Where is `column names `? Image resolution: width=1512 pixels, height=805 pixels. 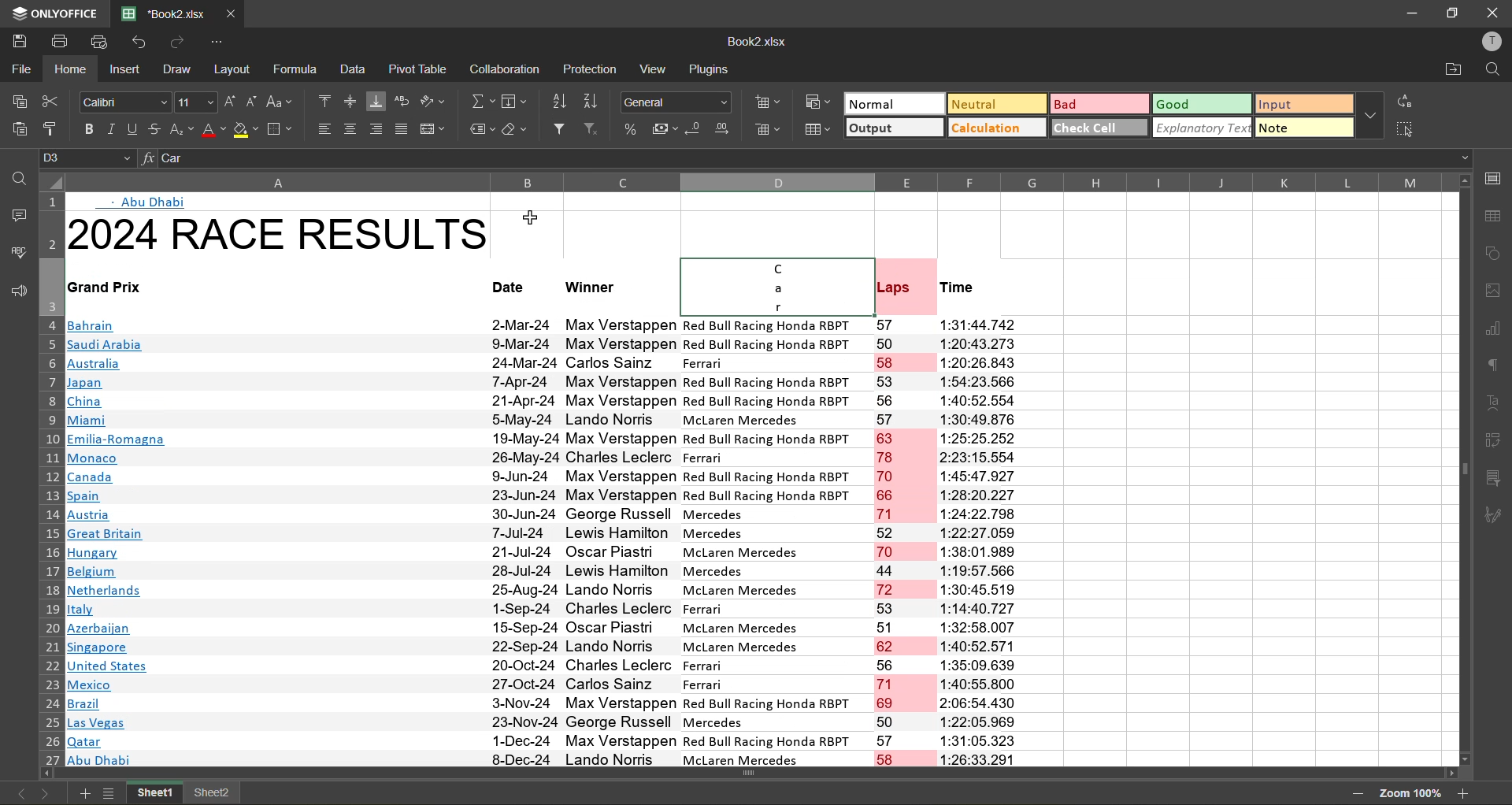
column names  is located at coordinates (756, 181).